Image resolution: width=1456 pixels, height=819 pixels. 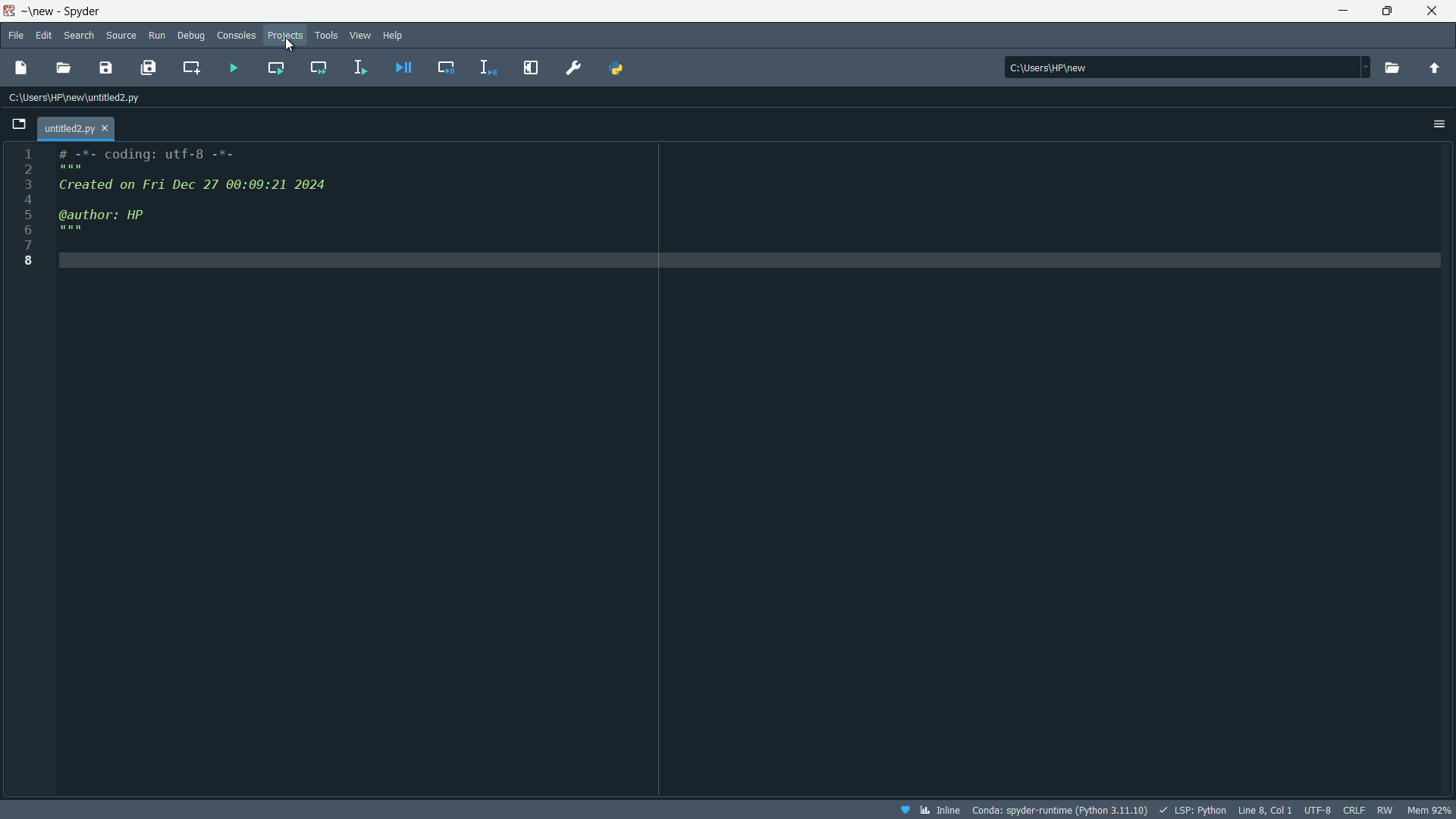 What do you see at coordinates (356, 65) in the screenshot?
I see `Run selector or current line (F9)` at bounding box center [356, 65].